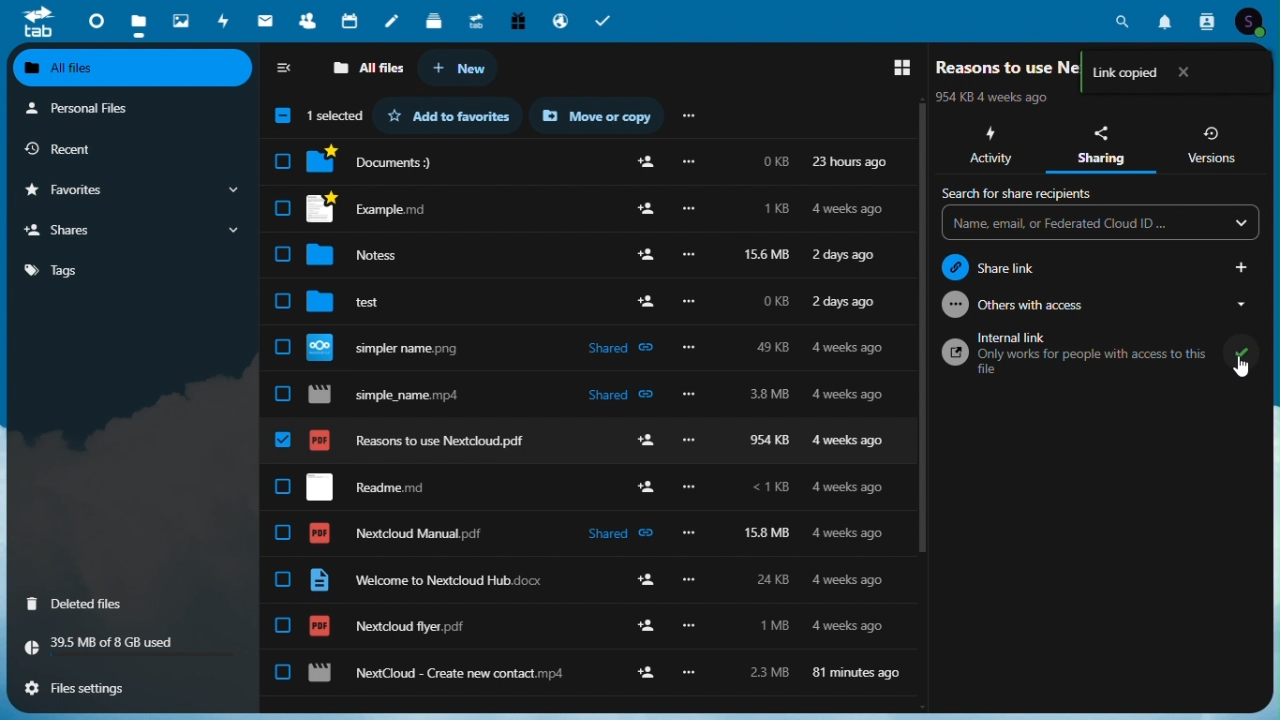 The height and width of the screenshot is (720, 1280). What do you see at coordinates (399, 534) in the screenshot?
I see `nextcloud manual.pdf` at bounding box center [399, 534].